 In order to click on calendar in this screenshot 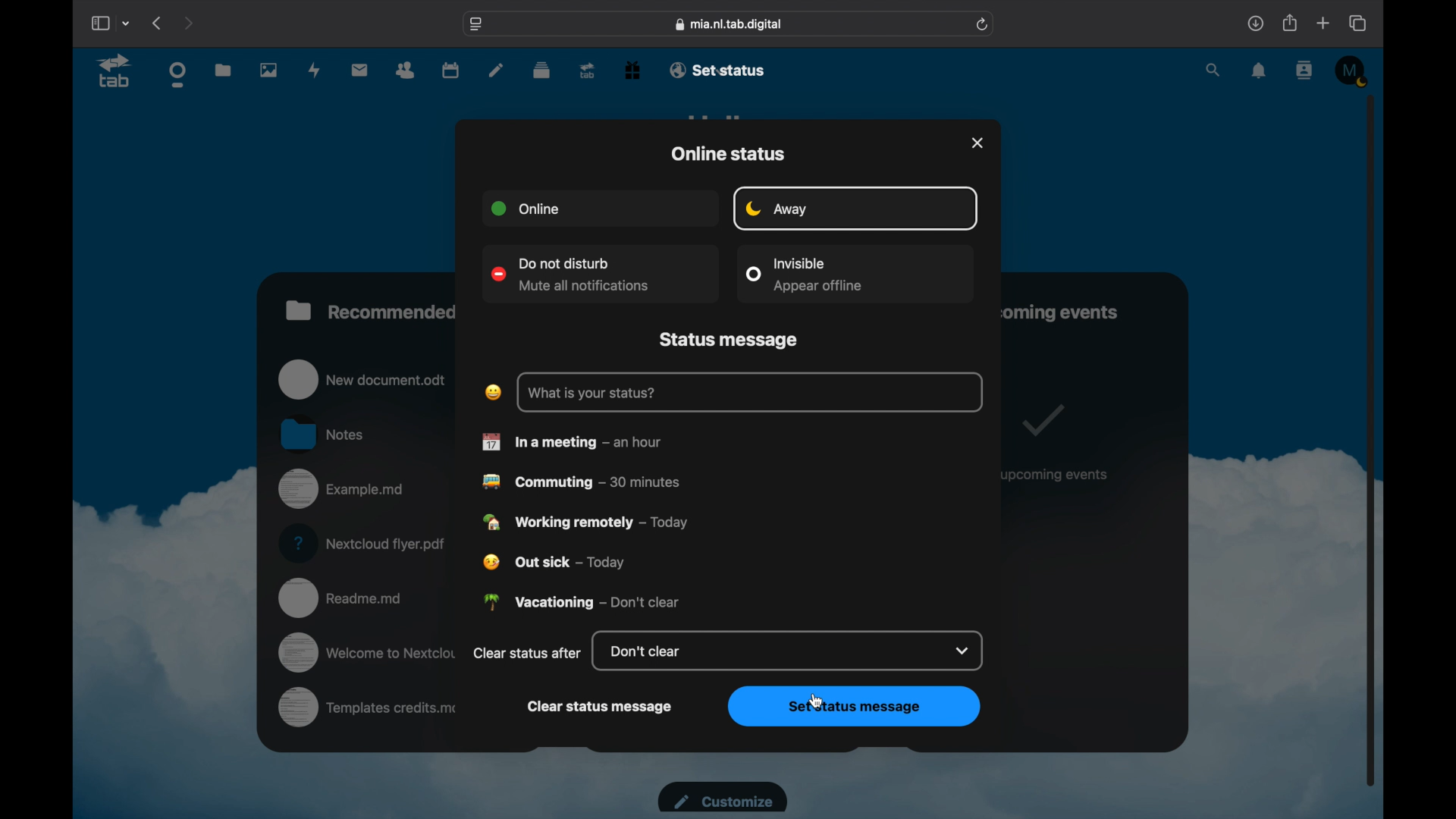, I will do `click(450, 69)`.